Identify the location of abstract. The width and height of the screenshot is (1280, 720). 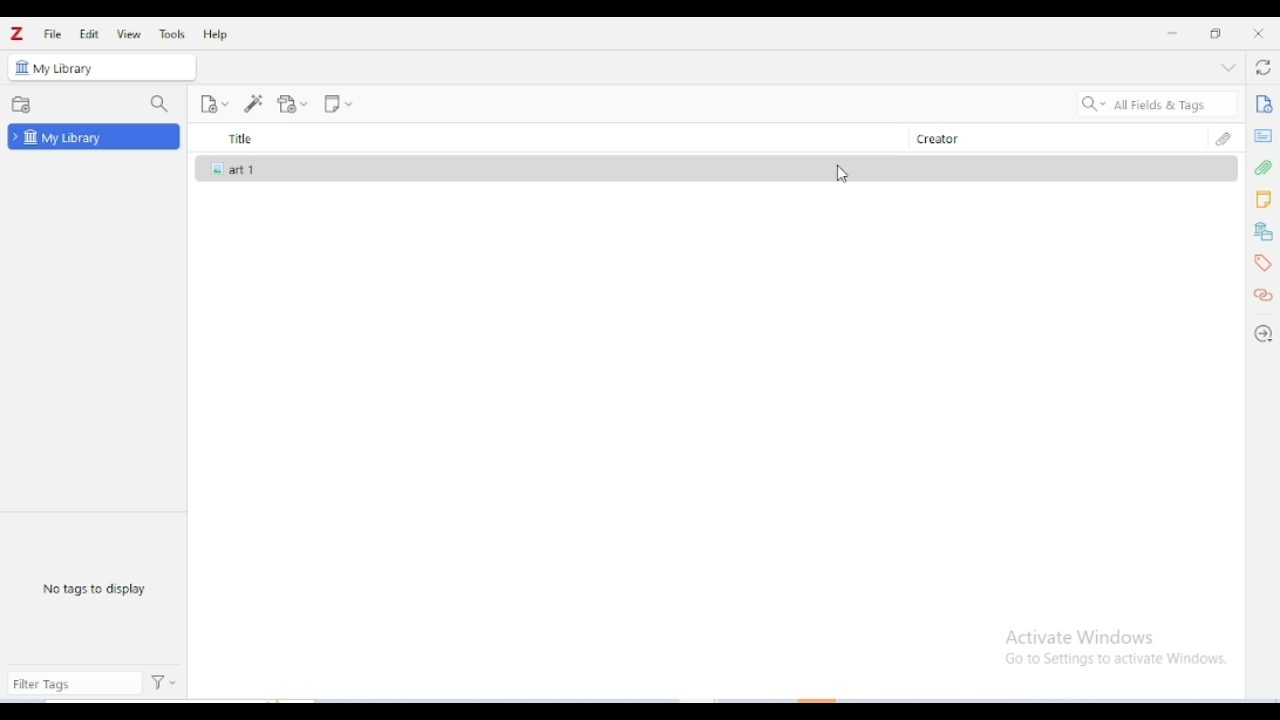
(1262, 136).